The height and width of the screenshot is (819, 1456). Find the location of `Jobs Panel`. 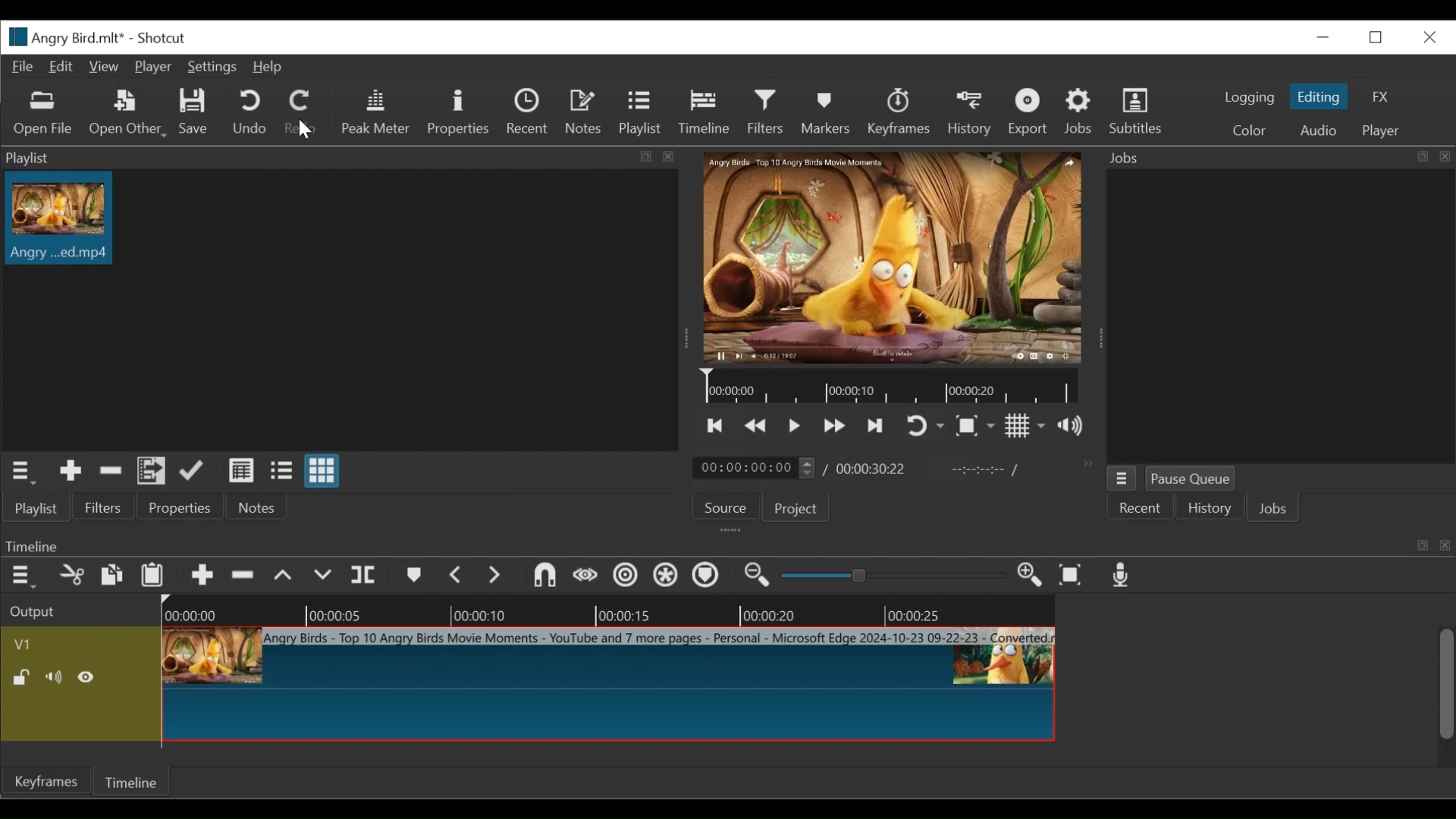

Jobs Panel is located at coordinates (1275, 158).